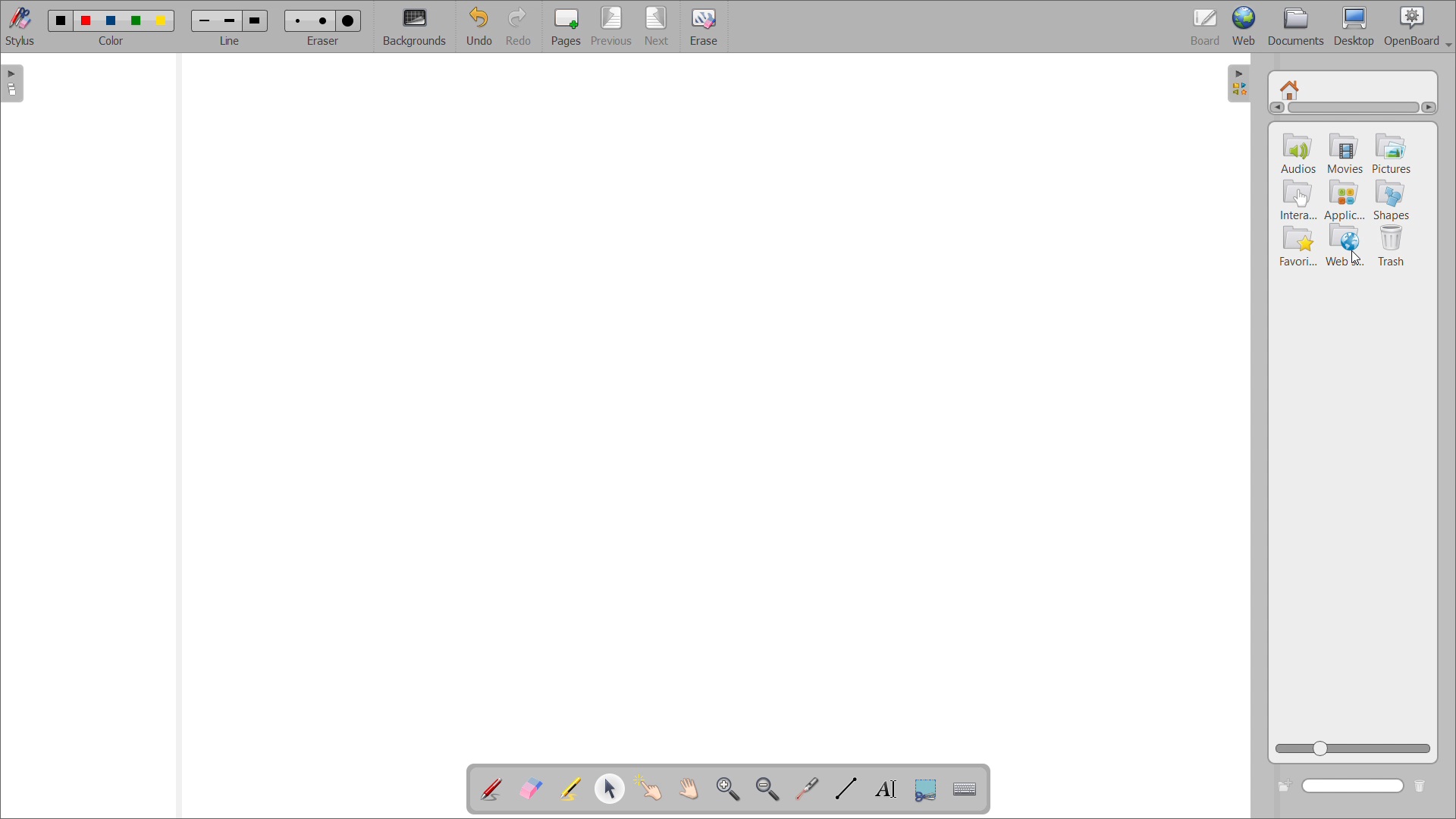 The width and height of the screenshot is (1456, 819). I want to click on backgrounds, so click(416, 27).